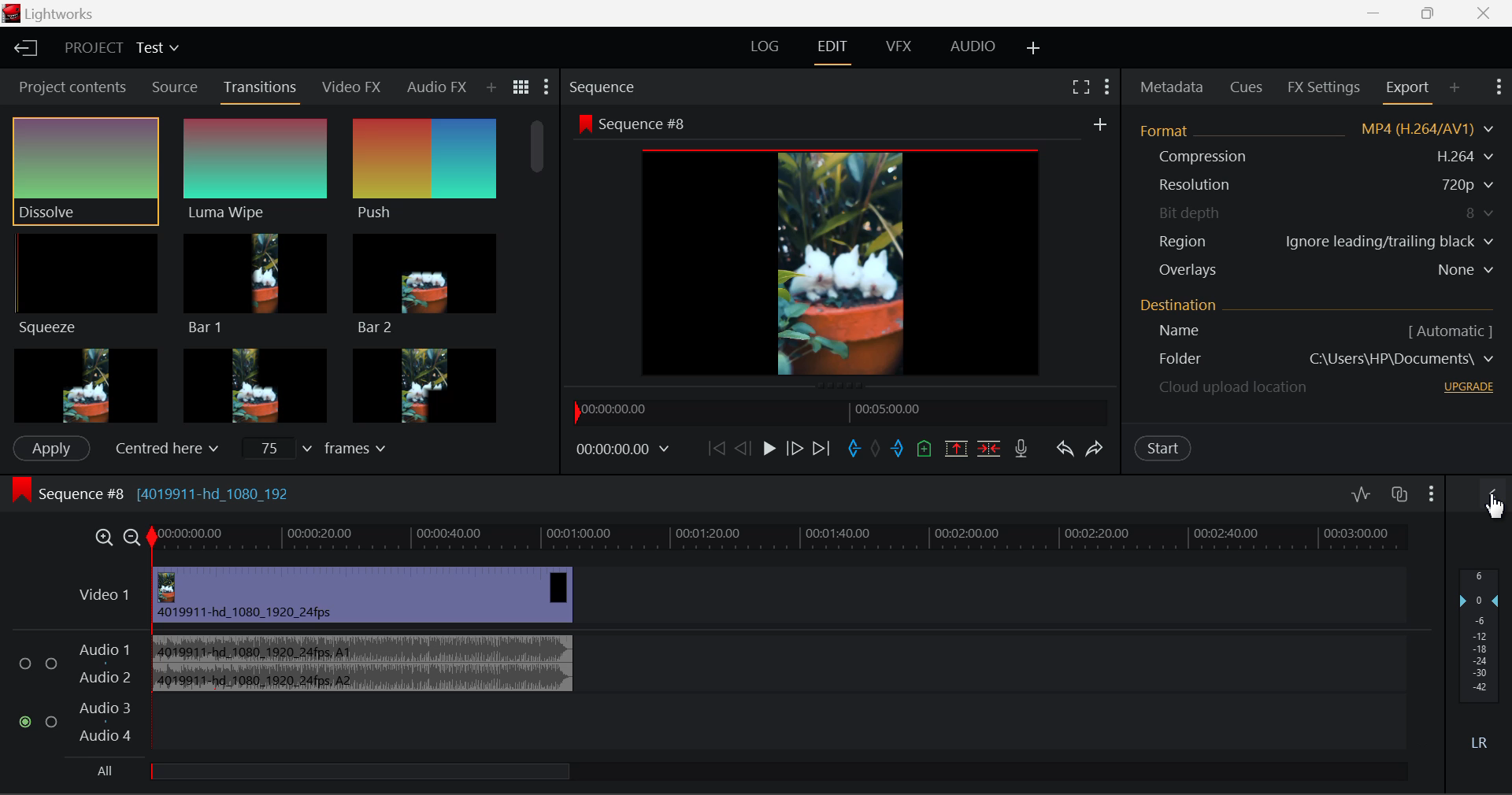 The width and height of the screenshot is (1512, 795). Describe the element at coordinates (766, 449) in the screenshot. I see `Play` at that location.